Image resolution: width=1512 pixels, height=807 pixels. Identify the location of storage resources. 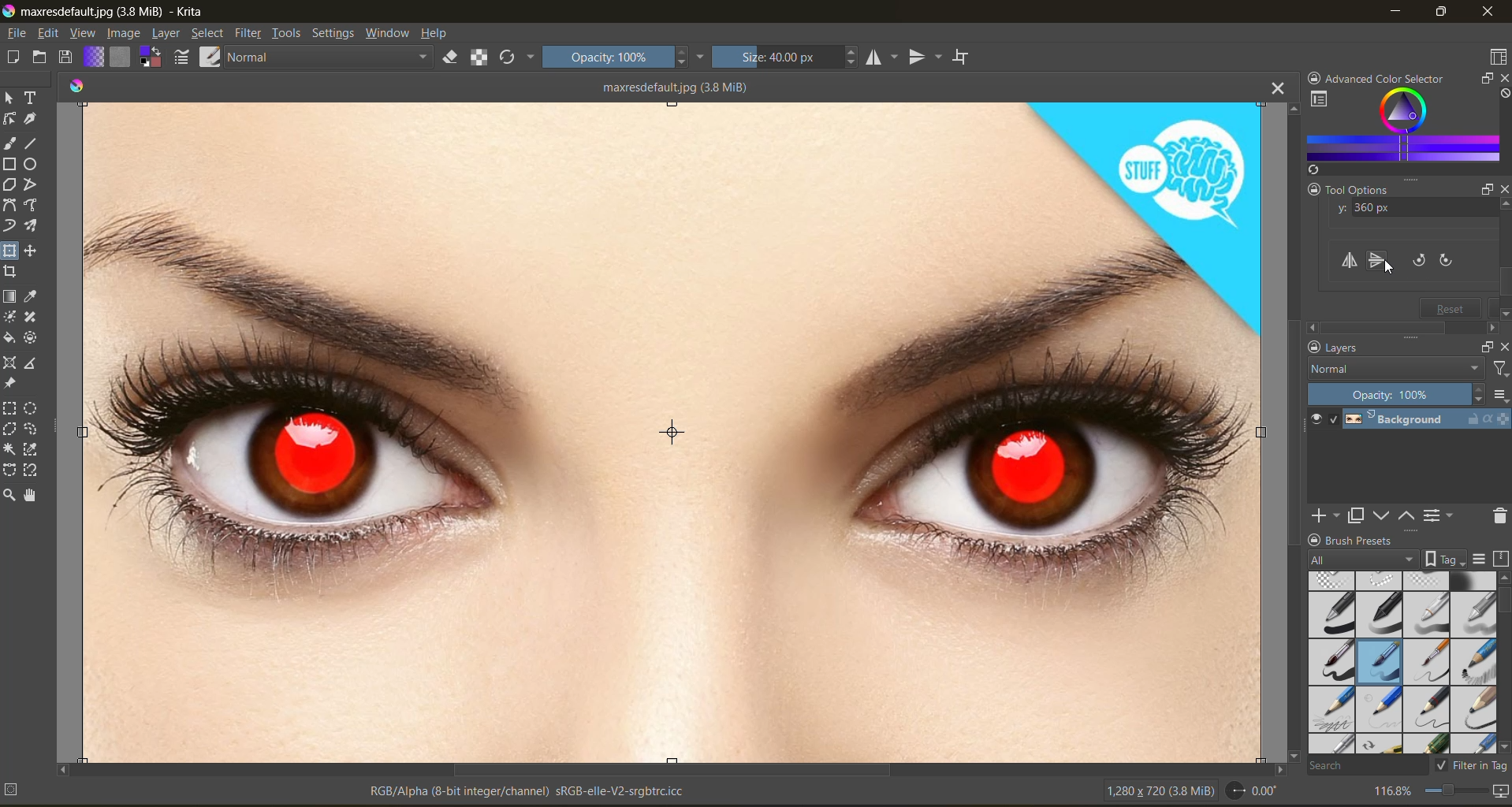
(1501, 559).